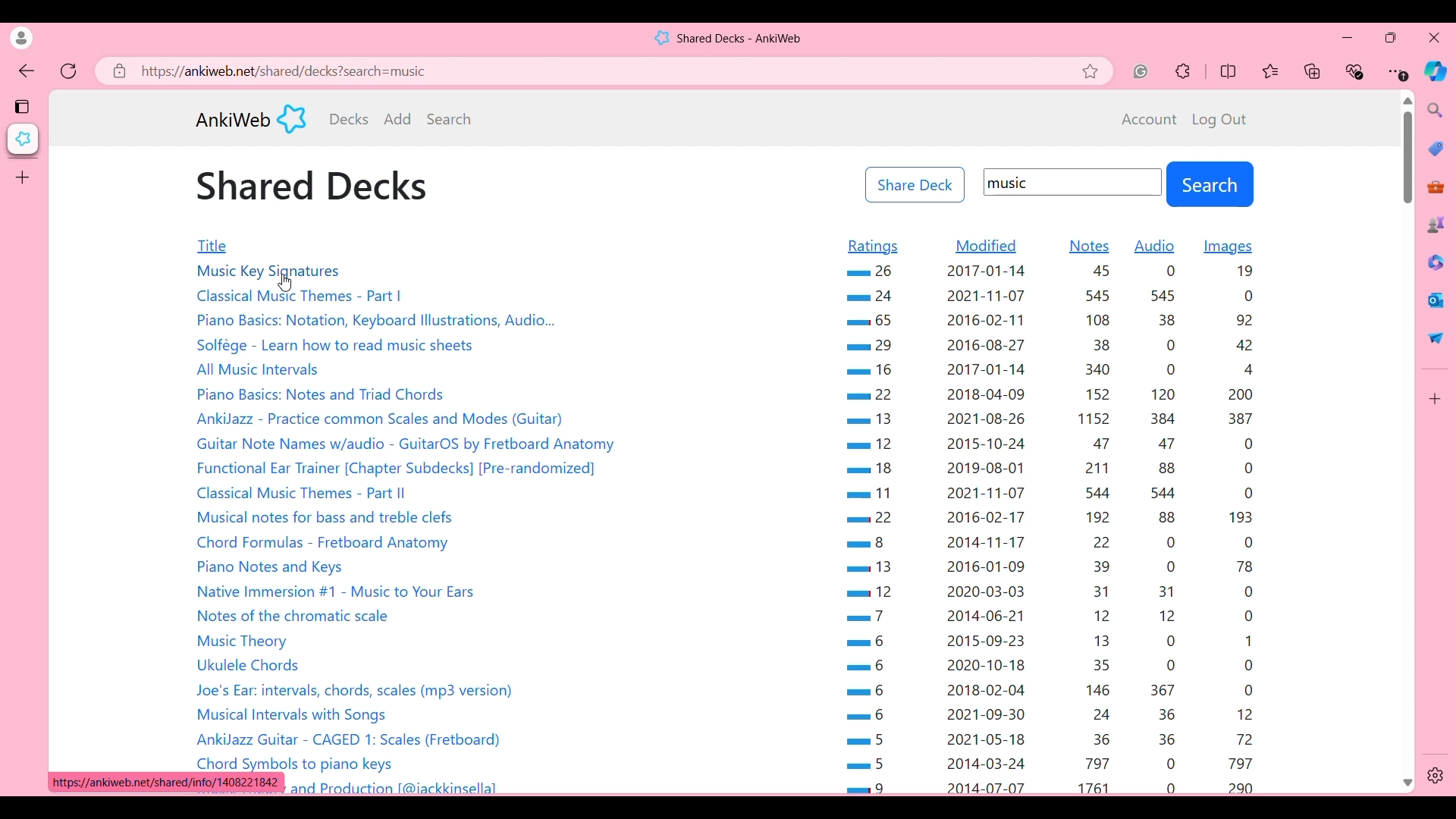 The image size is (1456, 819). I want to click on Account, so click(1150, 120).